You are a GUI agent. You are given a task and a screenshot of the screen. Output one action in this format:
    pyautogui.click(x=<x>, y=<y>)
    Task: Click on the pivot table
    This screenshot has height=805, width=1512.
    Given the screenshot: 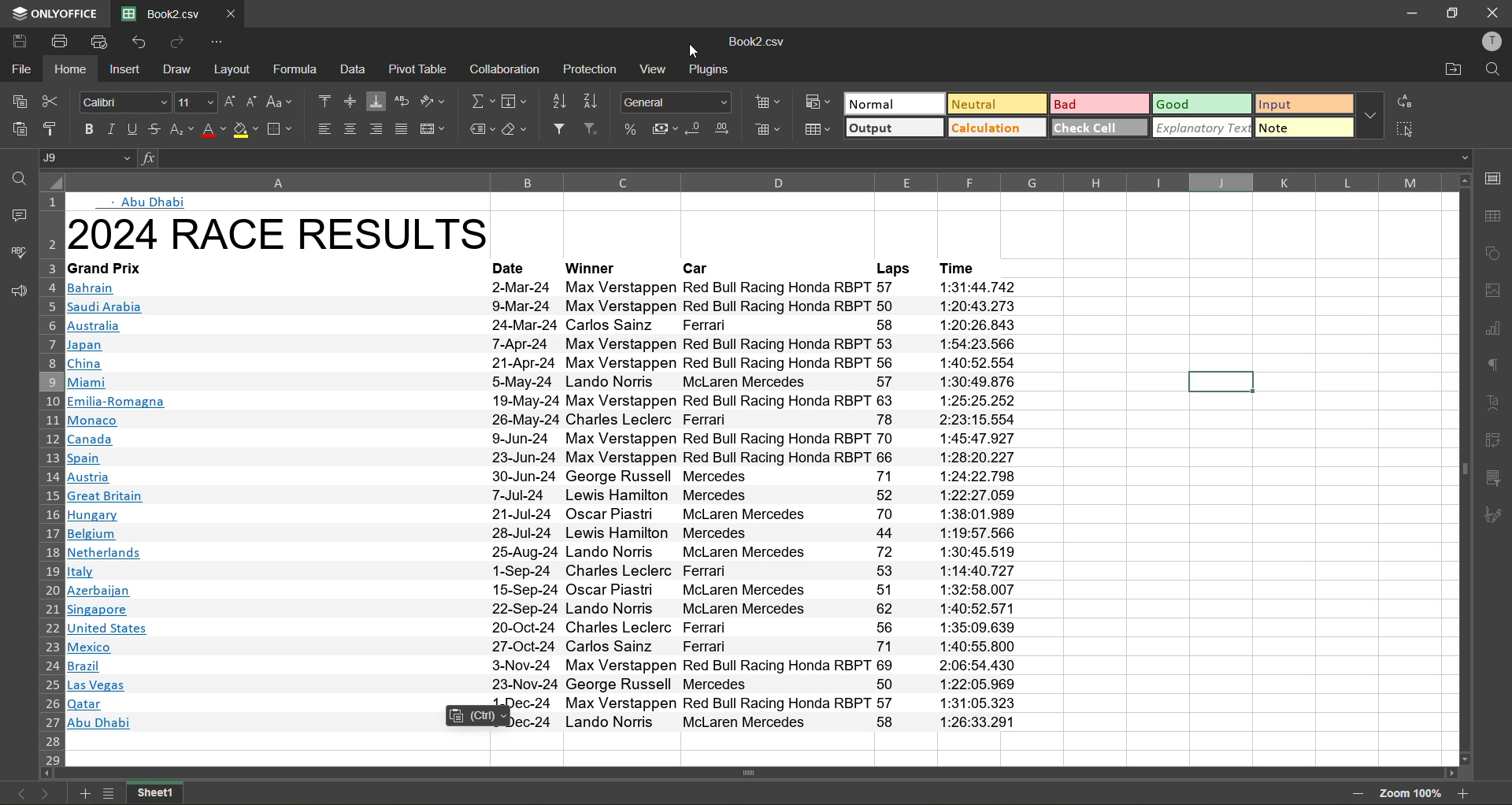 What is the action you would take?
    pyautogui.click(x=1495, y=443)
    